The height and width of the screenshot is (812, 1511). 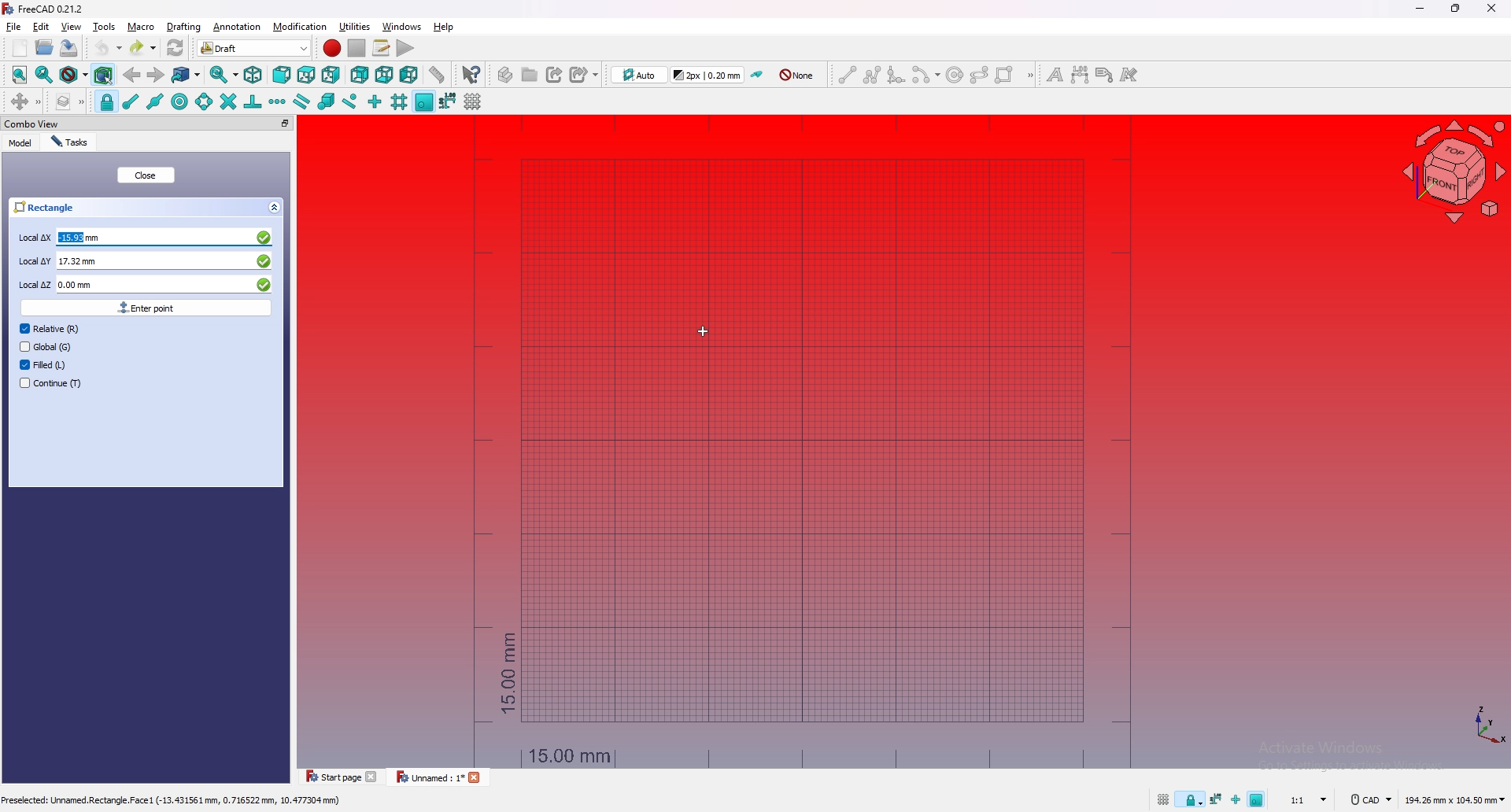 I want to click on label, so click(x=1105, y=75).